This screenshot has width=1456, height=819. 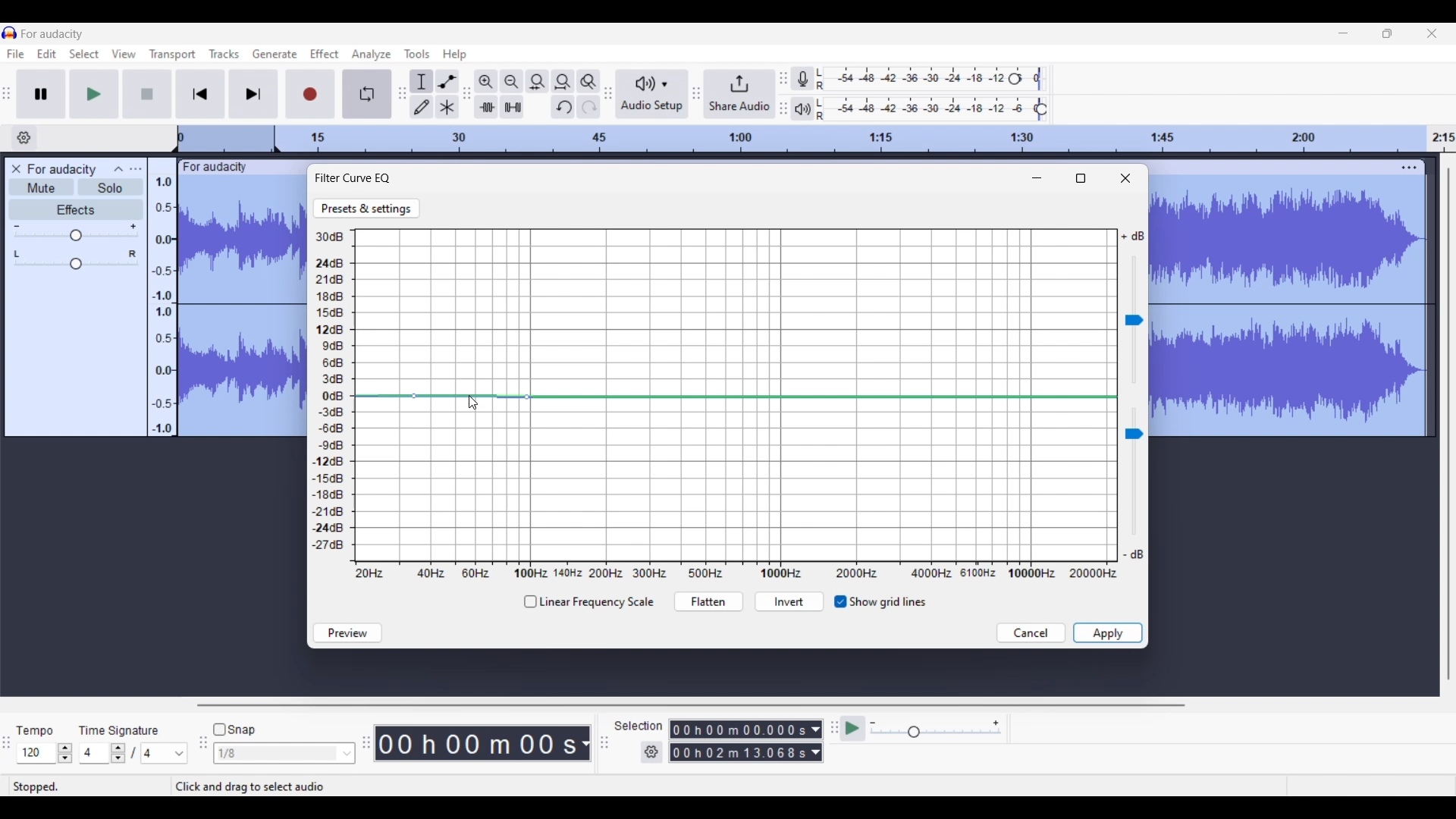 What do you see at coordinates (84, 55) in the screenshot?
I see `Select menu` at bounding box center [84, 55].